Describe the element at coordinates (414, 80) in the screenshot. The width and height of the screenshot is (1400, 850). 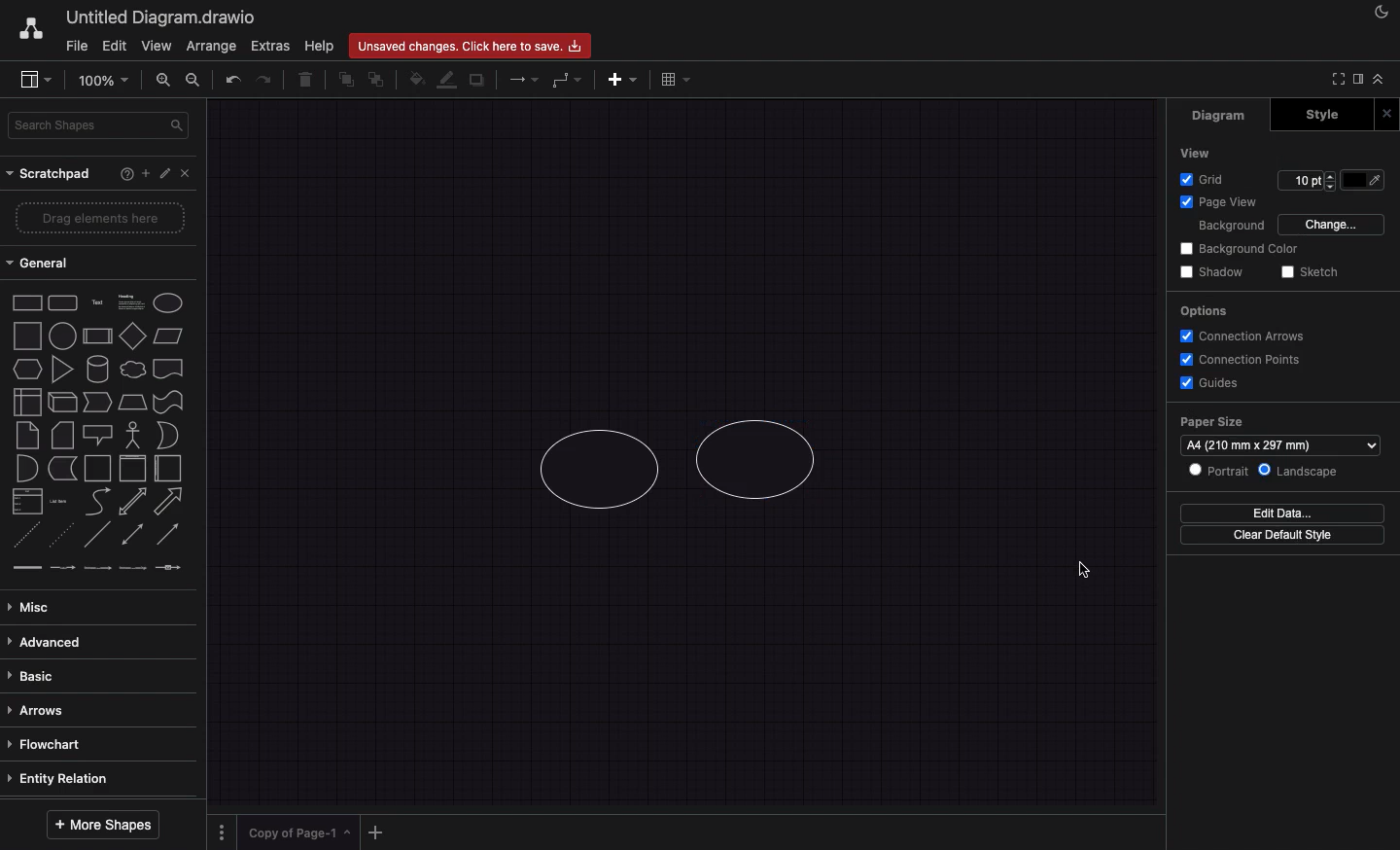
I see `fill color` at that location.